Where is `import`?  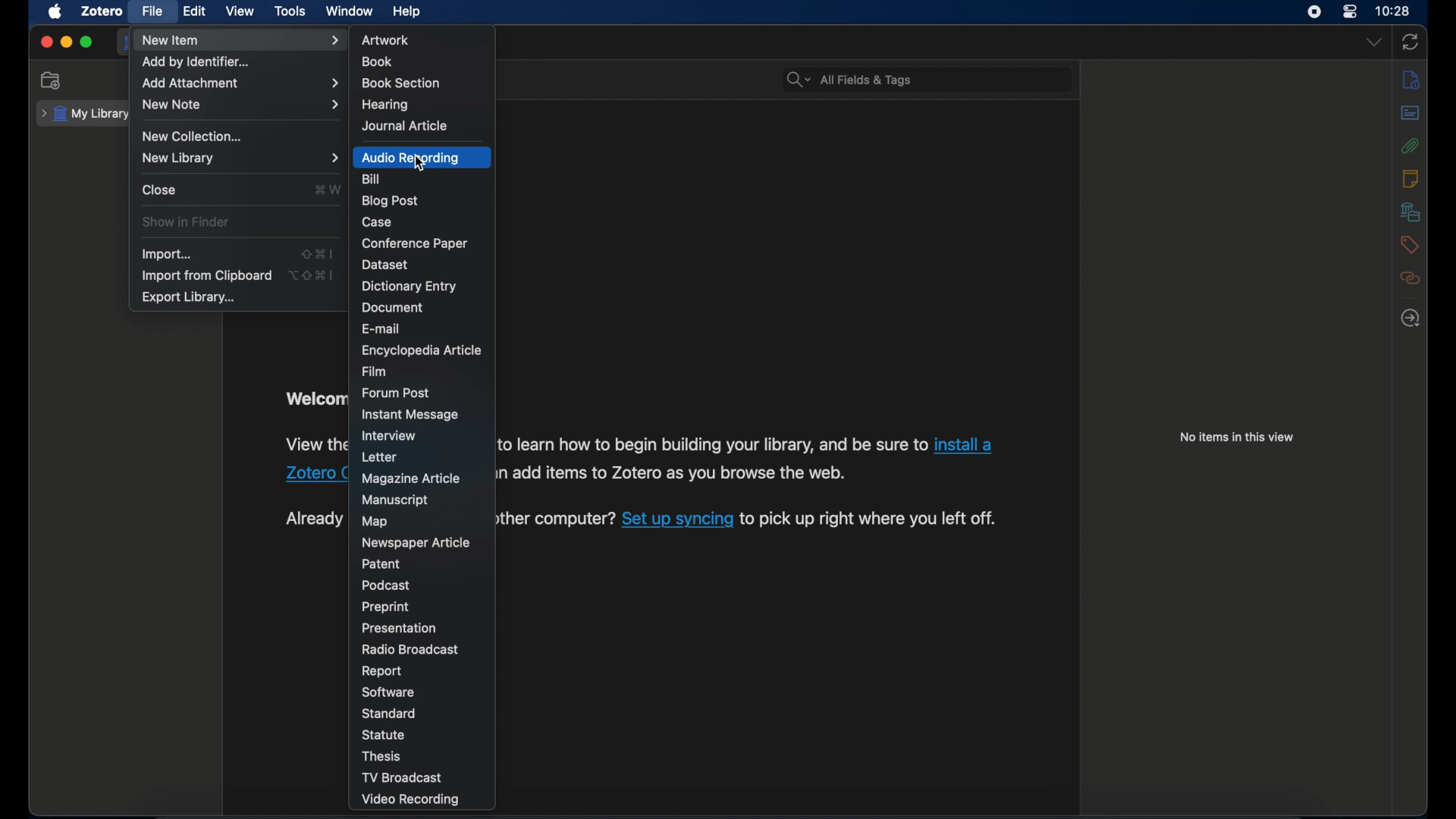
import is located at coordinates (167, 254).